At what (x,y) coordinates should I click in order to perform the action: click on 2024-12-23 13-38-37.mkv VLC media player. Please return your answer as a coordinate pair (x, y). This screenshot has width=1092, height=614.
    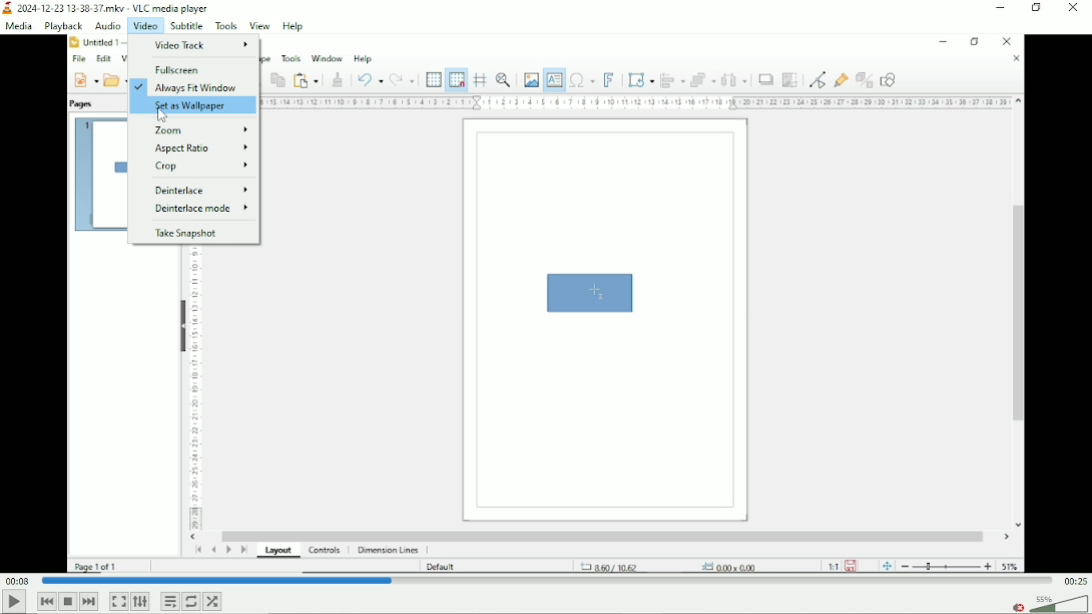
    Looking at the image, I should click on (112, 7).